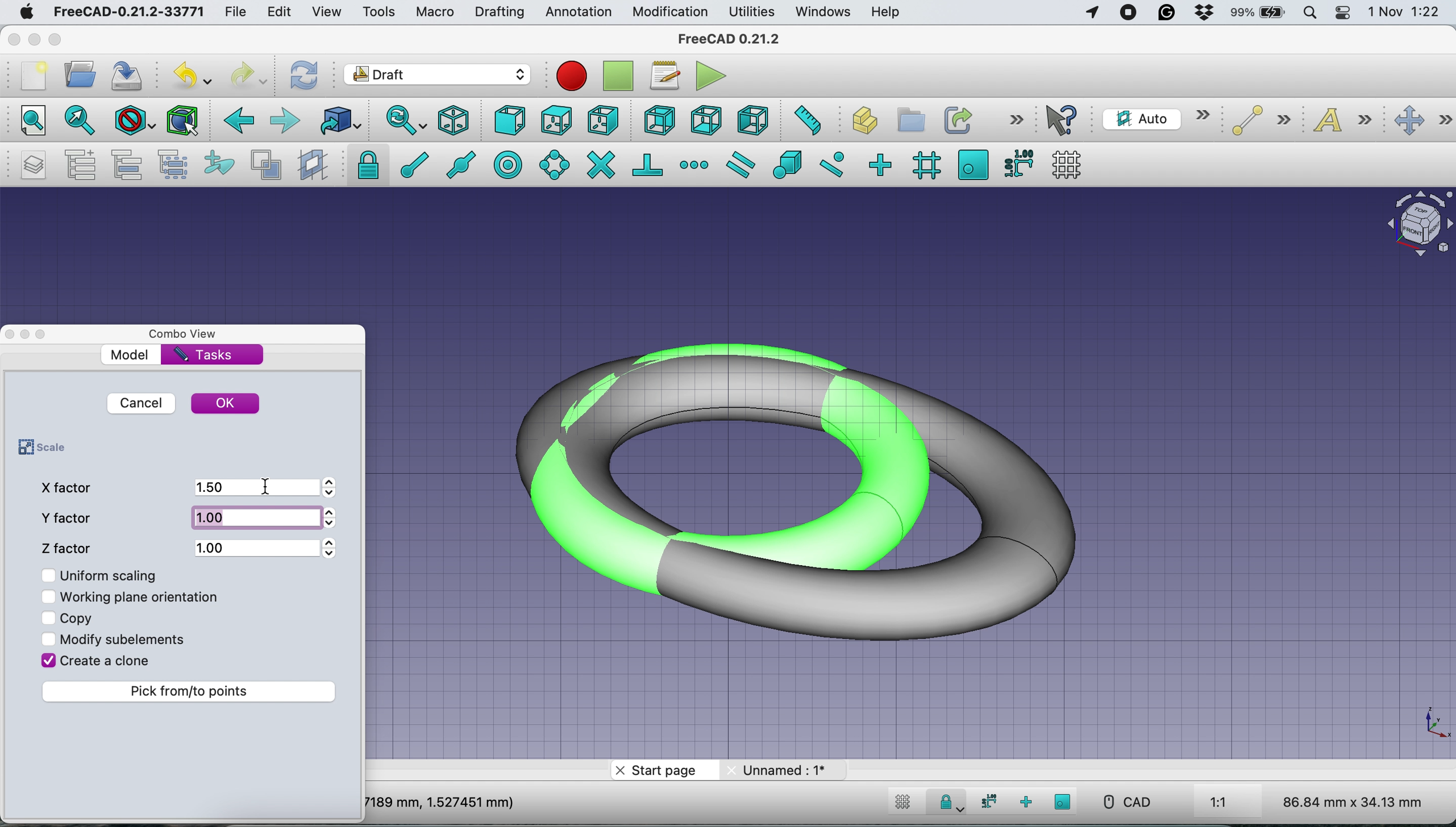 The height and width of the screenshot is (827, 1456). What do you see at coordinates (1092, 14) in the screenshot?
I see `Apps Using Location` at bounding box center [1092, 14].